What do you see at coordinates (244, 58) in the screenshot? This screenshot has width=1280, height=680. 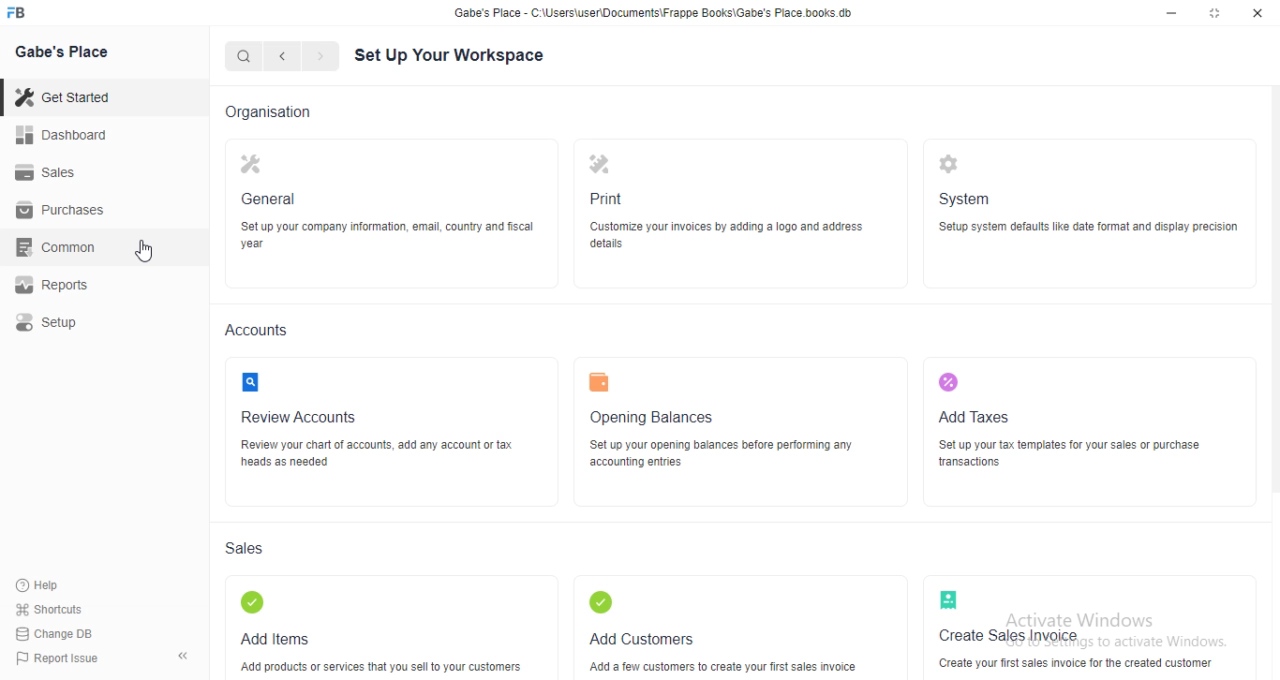 I see `search` at bounding box center [244, 58].